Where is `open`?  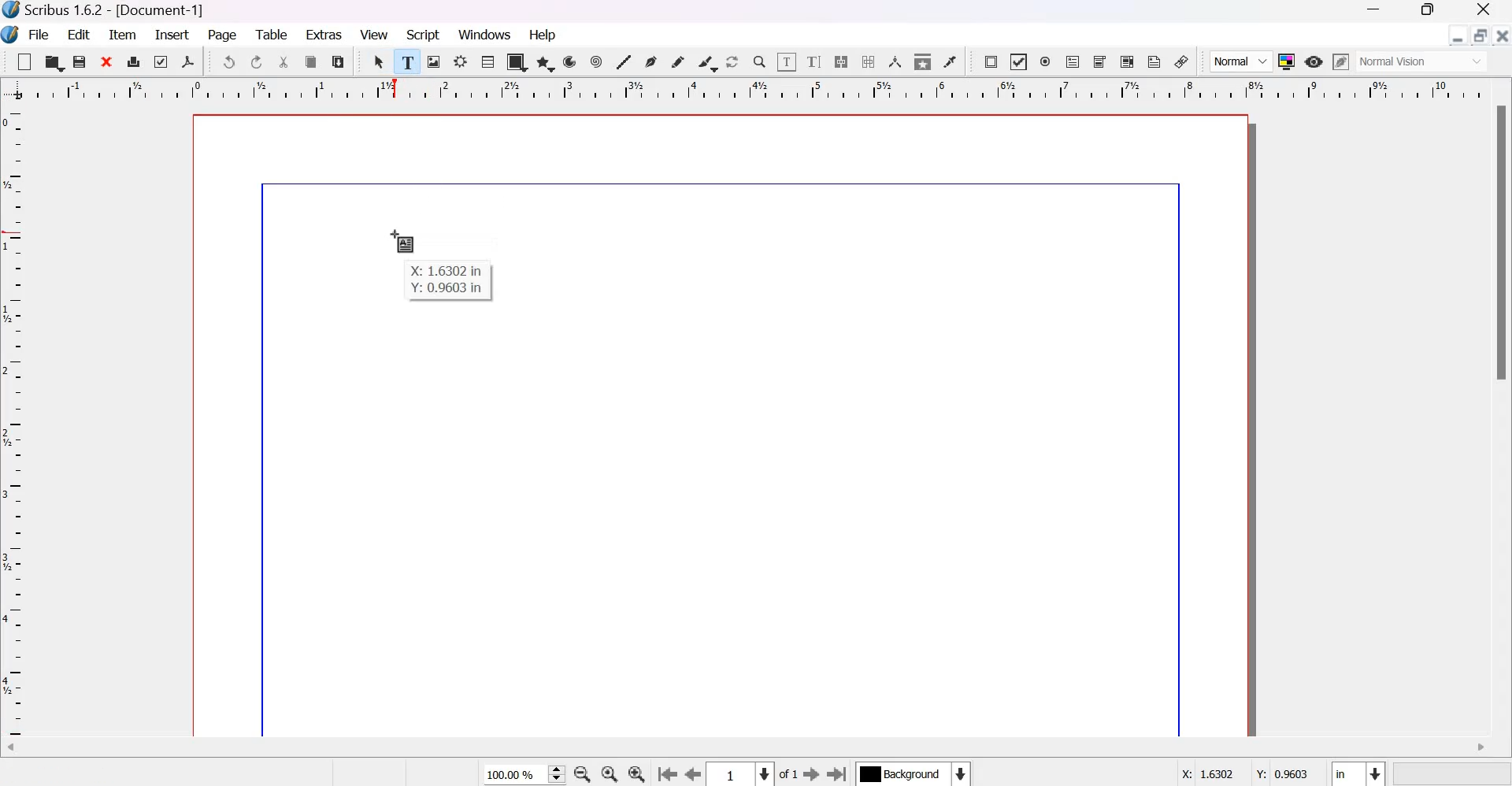
open is located at coordinates (53, 61).